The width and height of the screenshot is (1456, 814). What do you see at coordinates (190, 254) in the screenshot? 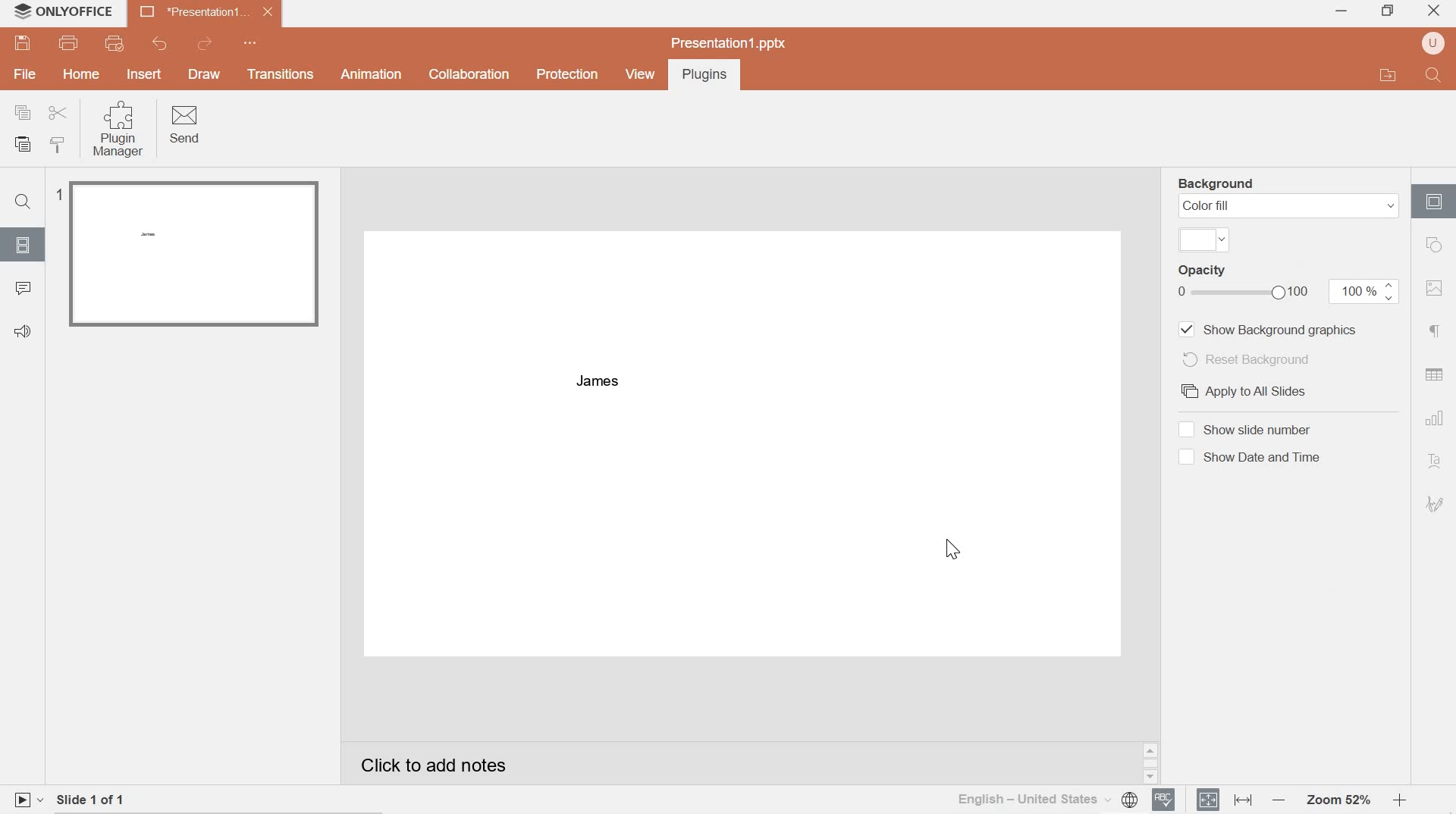
I see `slide 1` at bounding box center [190, 254].